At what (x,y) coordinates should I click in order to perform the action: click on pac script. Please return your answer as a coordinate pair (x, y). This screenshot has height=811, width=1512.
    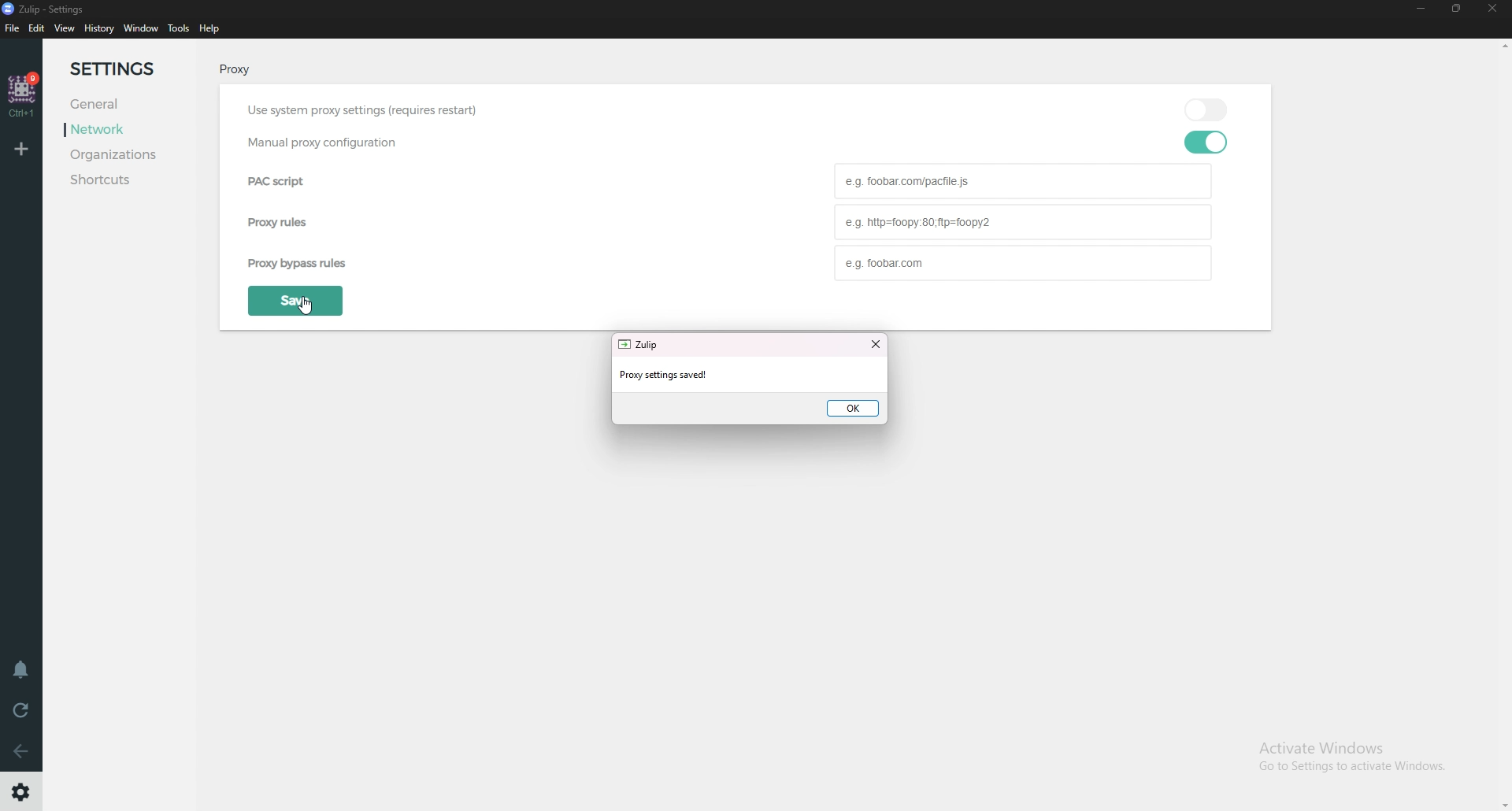
    Looking at the image, I should click on (289, 183).